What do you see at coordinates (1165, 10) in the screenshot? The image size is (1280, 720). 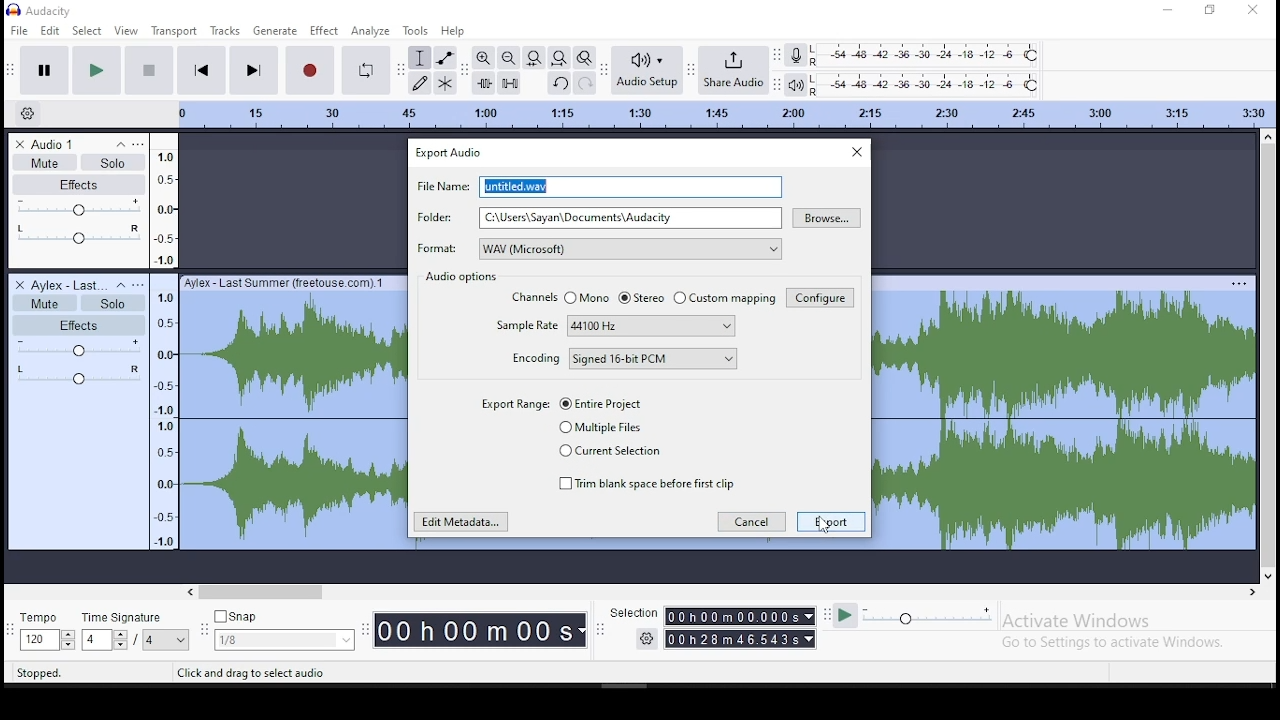 I see `minimize` at bounding box center [1165, 10].